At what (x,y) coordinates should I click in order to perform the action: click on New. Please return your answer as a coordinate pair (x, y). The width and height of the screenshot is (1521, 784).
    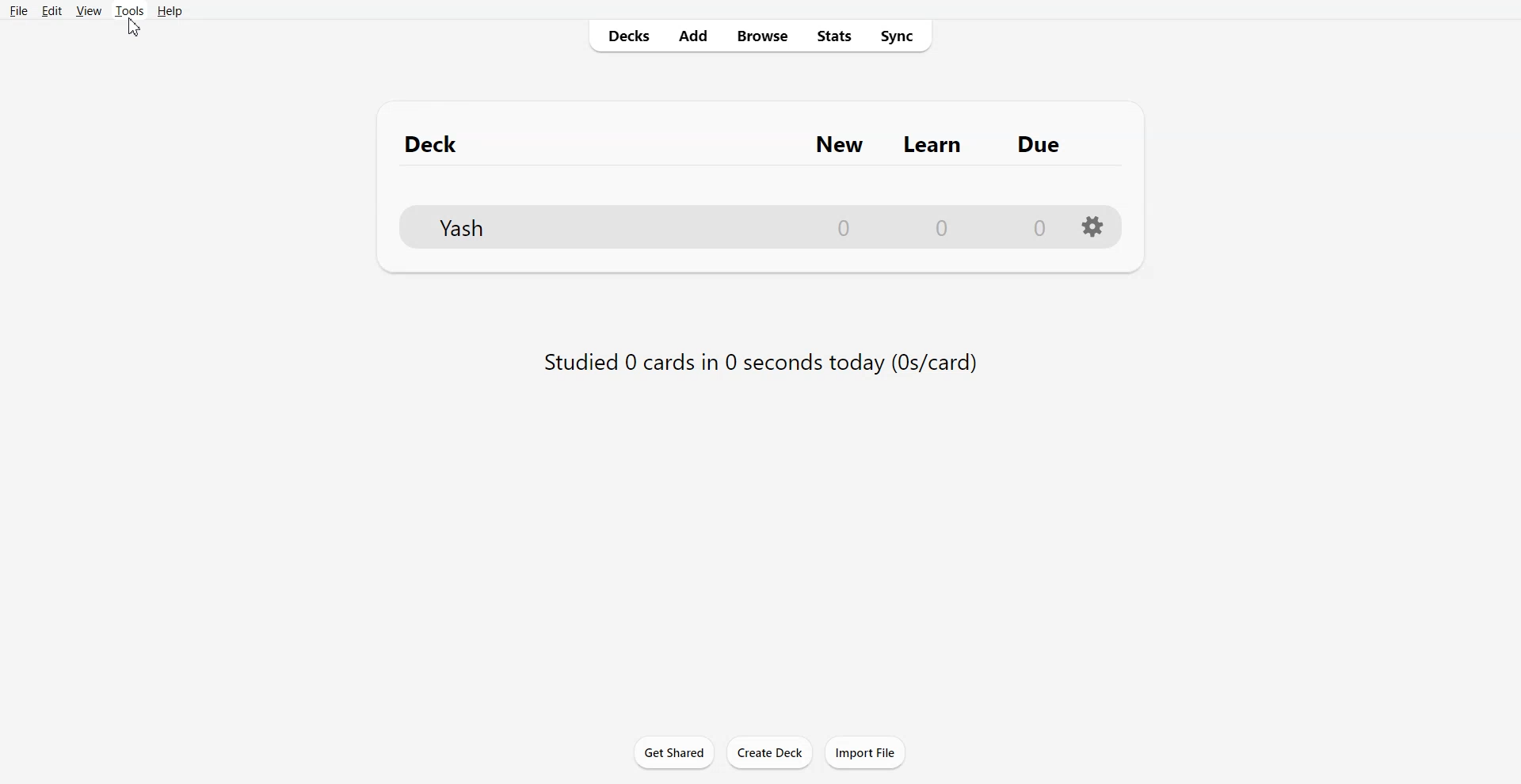
    Looking at the image, I should click on (840, 144).